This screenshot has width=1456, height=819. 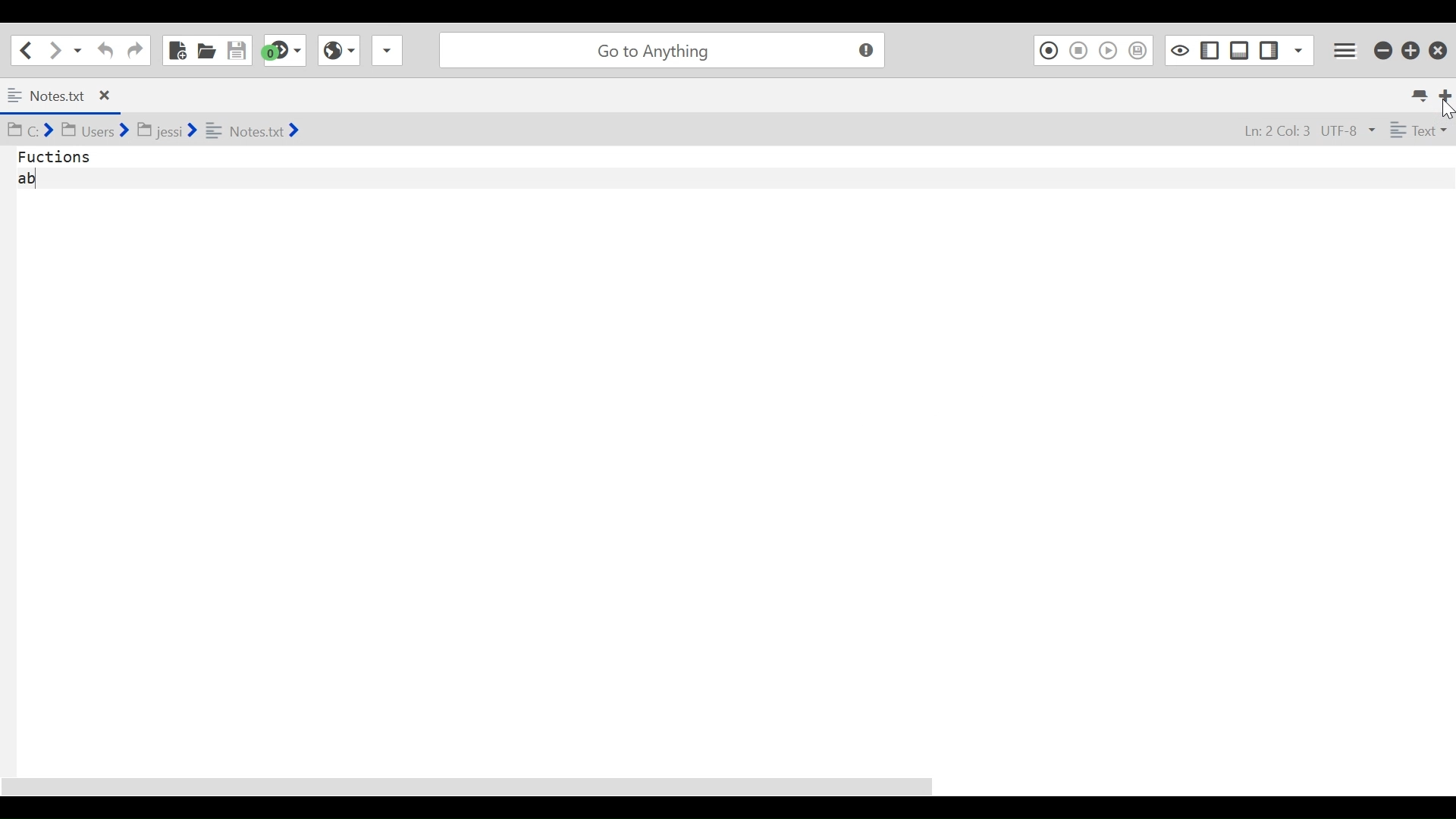 I want to click on Go to Anything, so click(x=666, y=50).